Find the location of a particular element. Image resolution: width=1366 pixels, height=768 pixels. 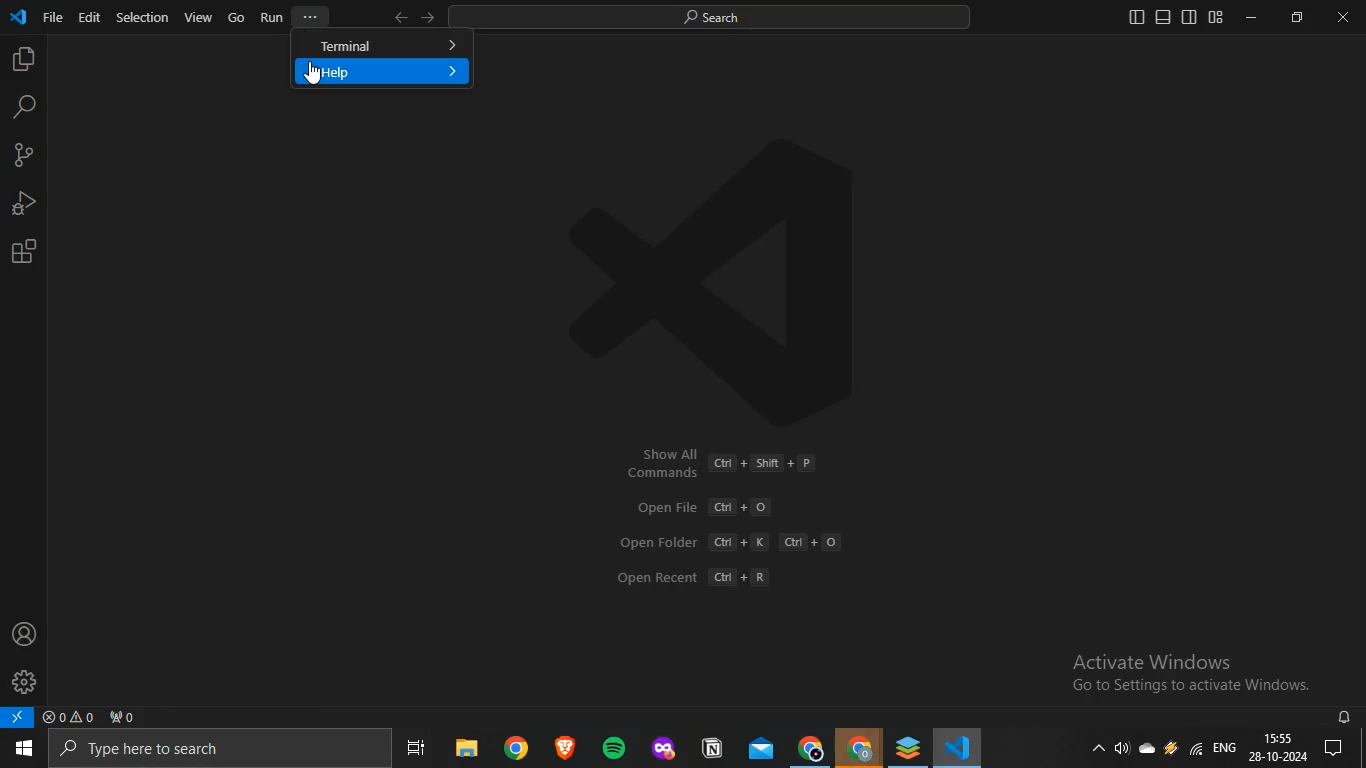

notion is located at coordinates (711, 748).